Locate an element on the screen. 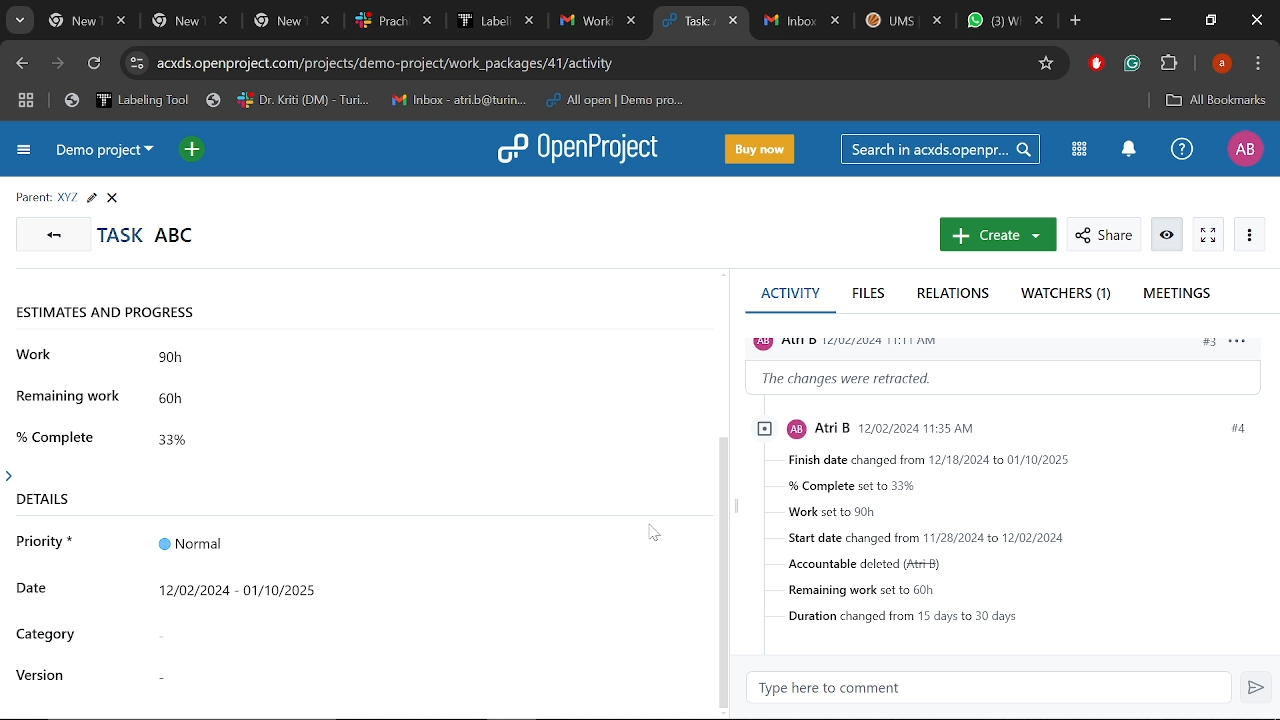  details is located at coordinates (39, 494).